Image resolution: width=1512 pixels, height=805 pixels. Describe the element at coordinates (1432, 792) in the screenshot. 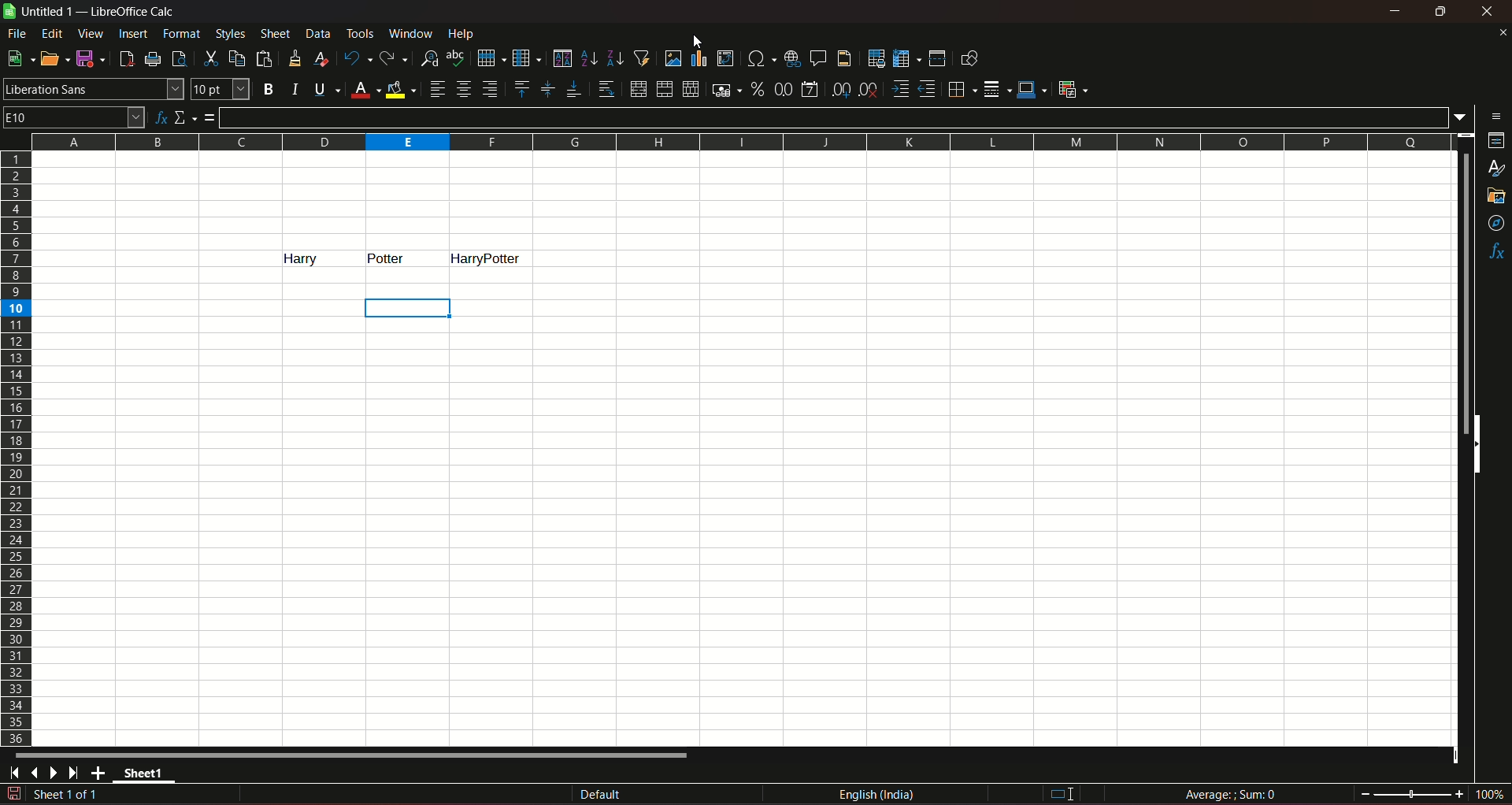

I see `zoom` at that location.